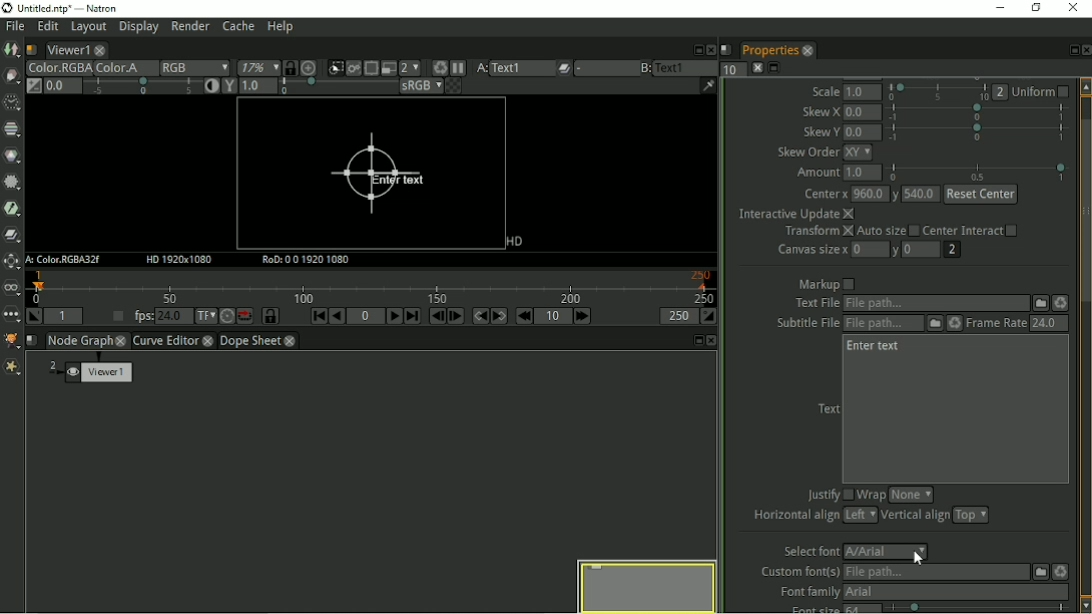  I want to click on 24, so click(1046, 323).